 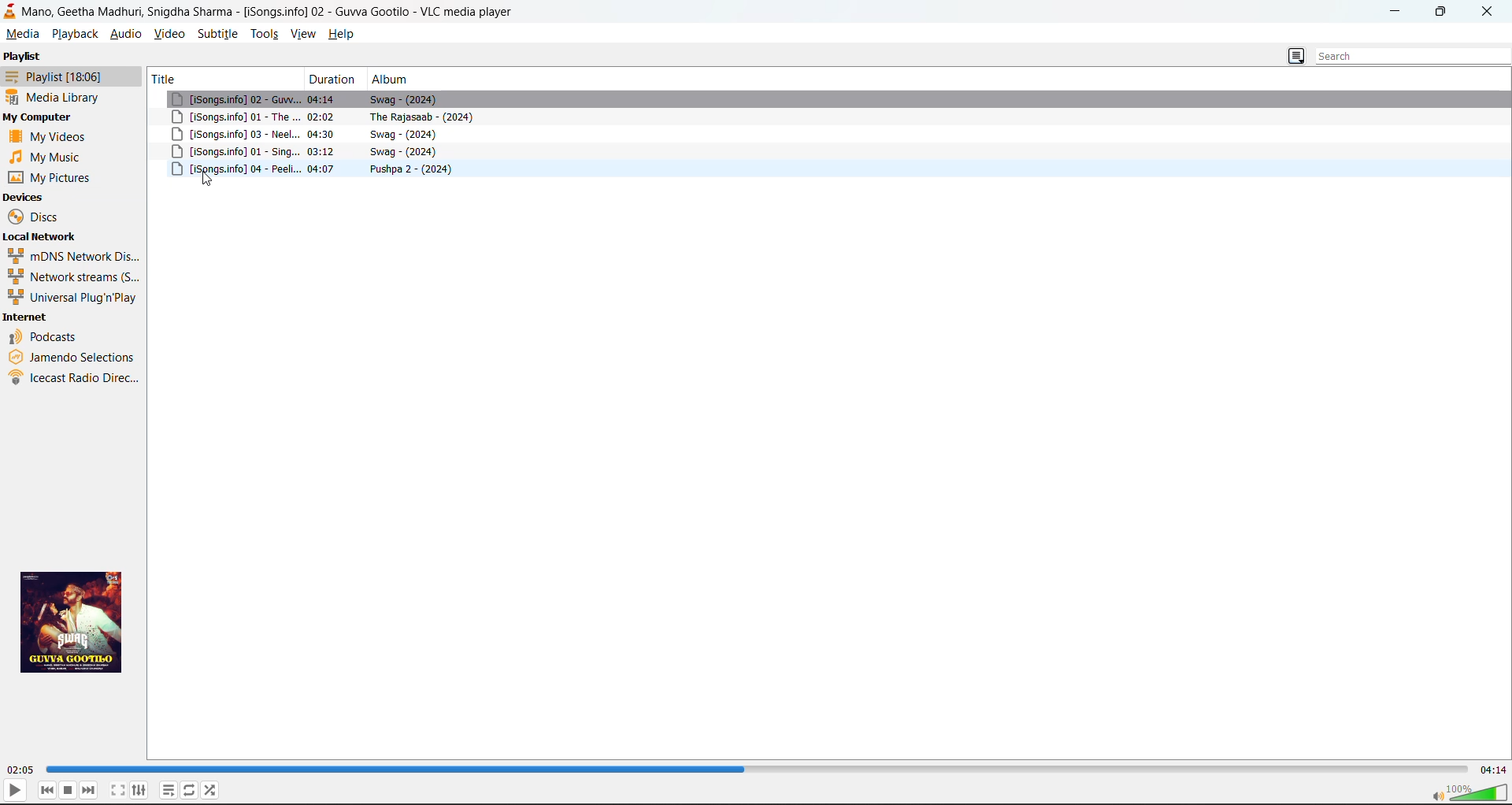 What do you see at coordinates (168, 791) in the screenshot?
I see `toggle playlist` at bounding box center [168, 791].